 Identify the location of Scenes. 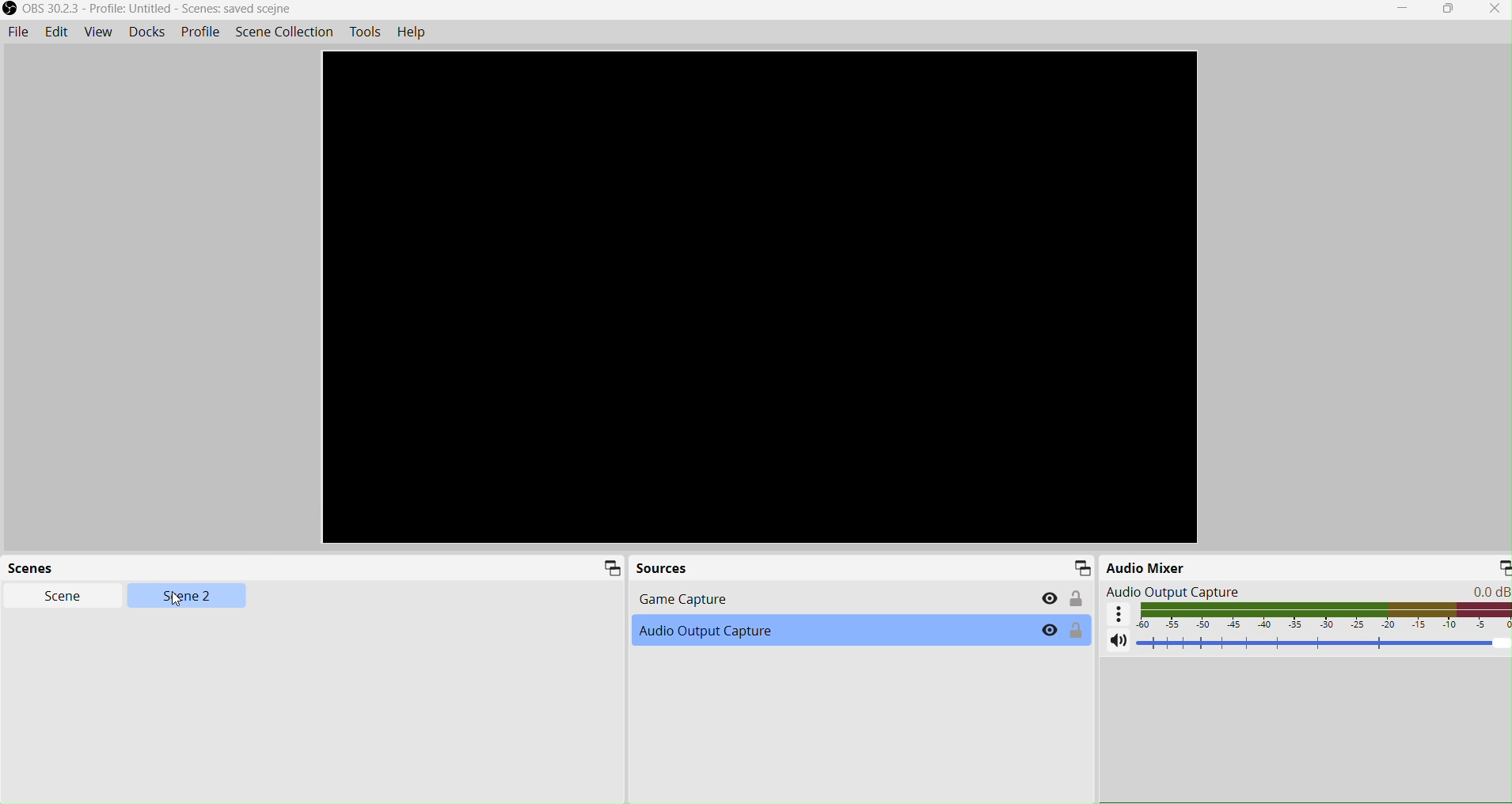
(36, 567).